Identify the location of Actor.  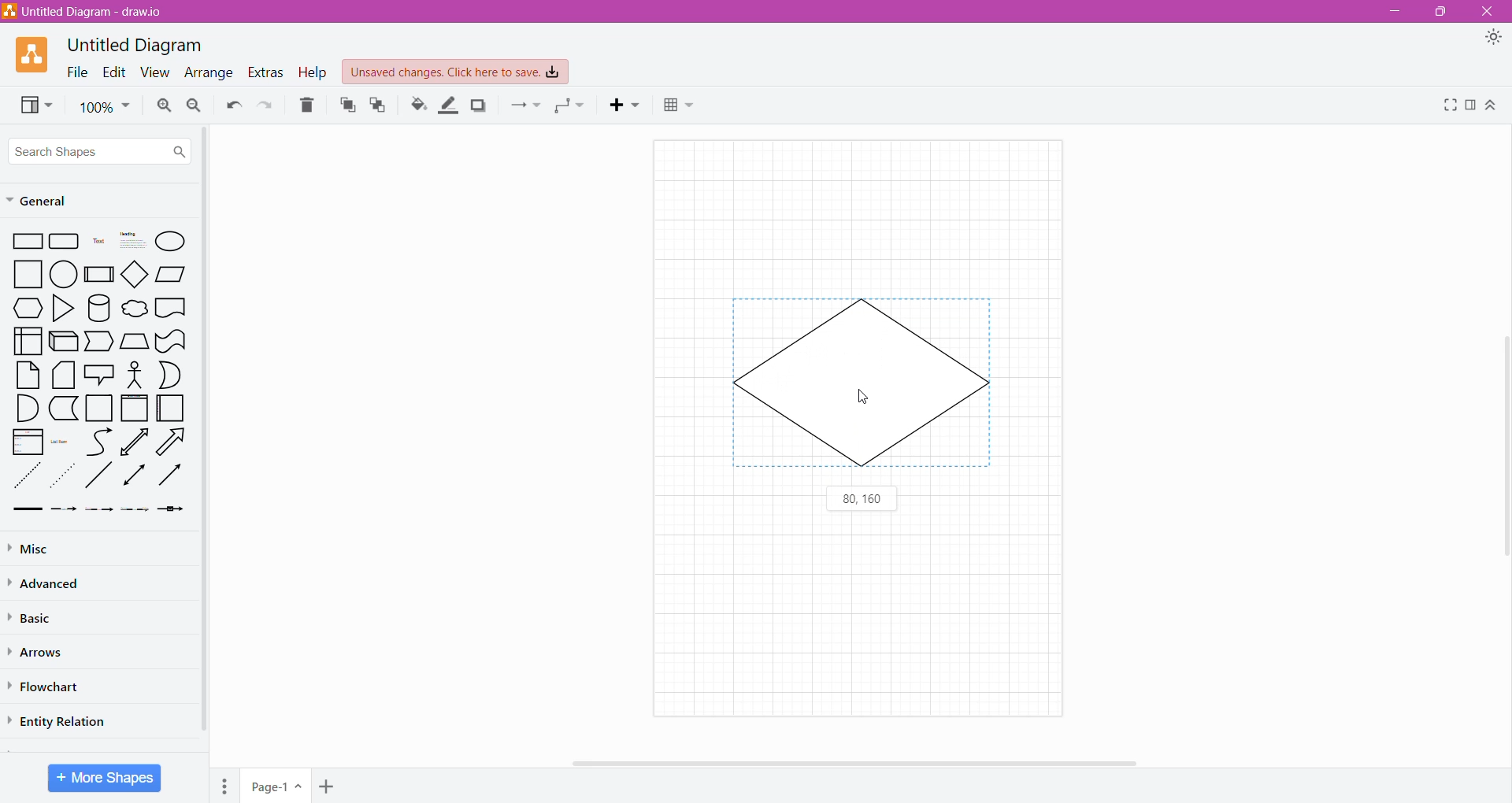
(133, 376).